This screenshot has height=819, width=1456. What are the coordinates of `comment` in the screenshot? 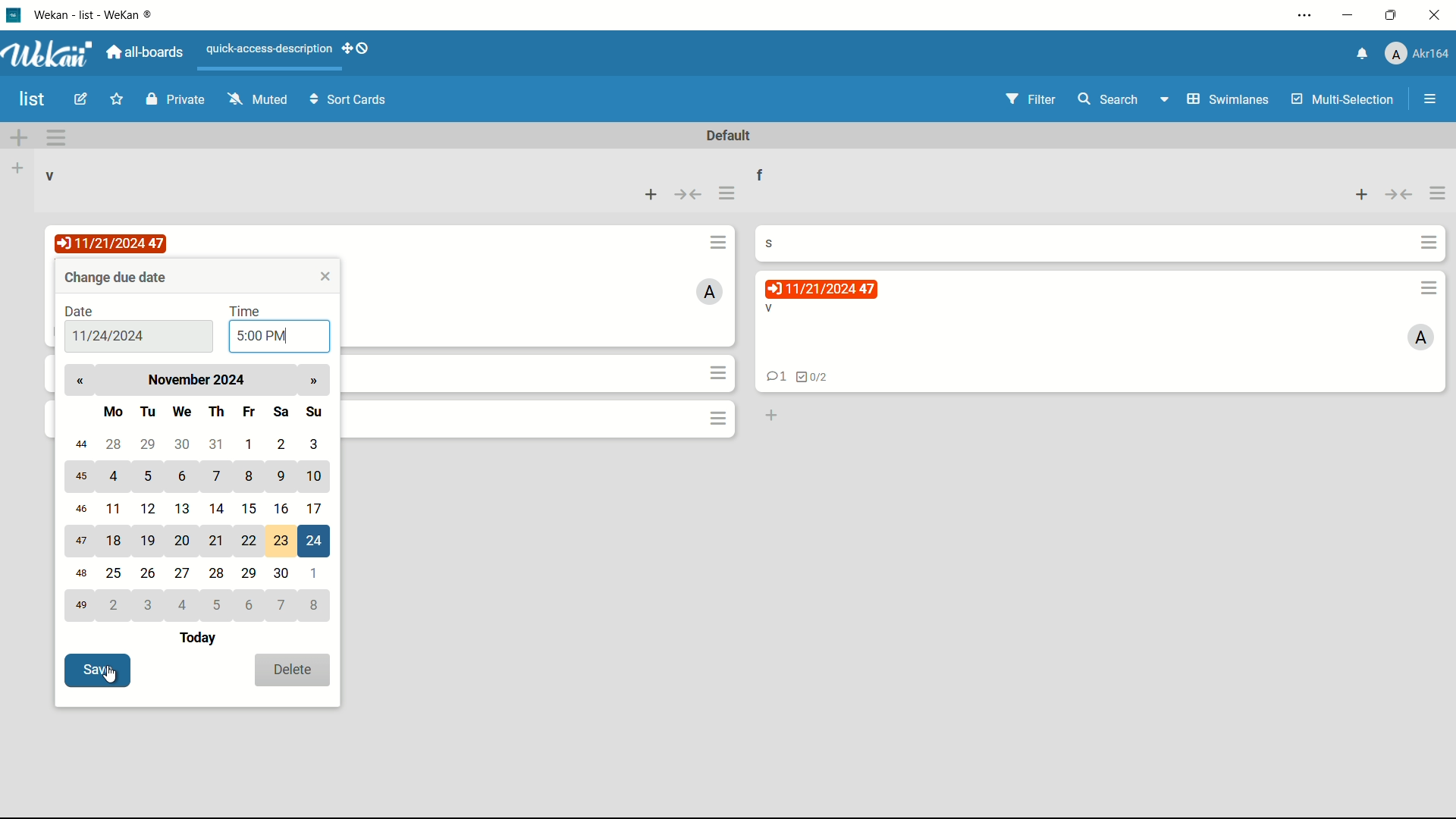 It's located at (773, 378).